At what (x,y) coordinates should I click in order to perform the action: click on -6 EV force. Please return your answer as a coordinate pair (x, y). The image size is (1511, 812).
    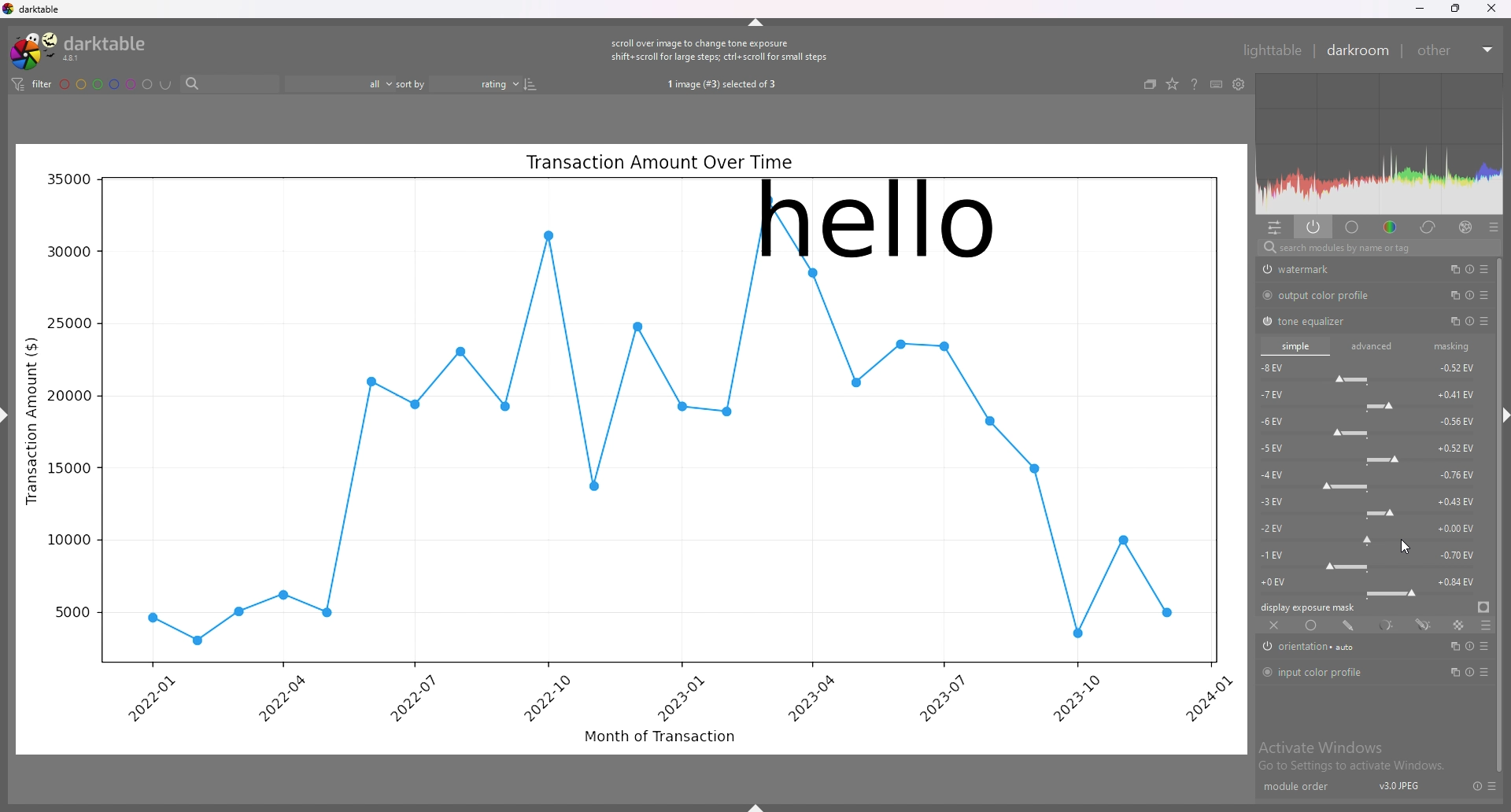
    Looking at the image, I should click on (1372, 426).